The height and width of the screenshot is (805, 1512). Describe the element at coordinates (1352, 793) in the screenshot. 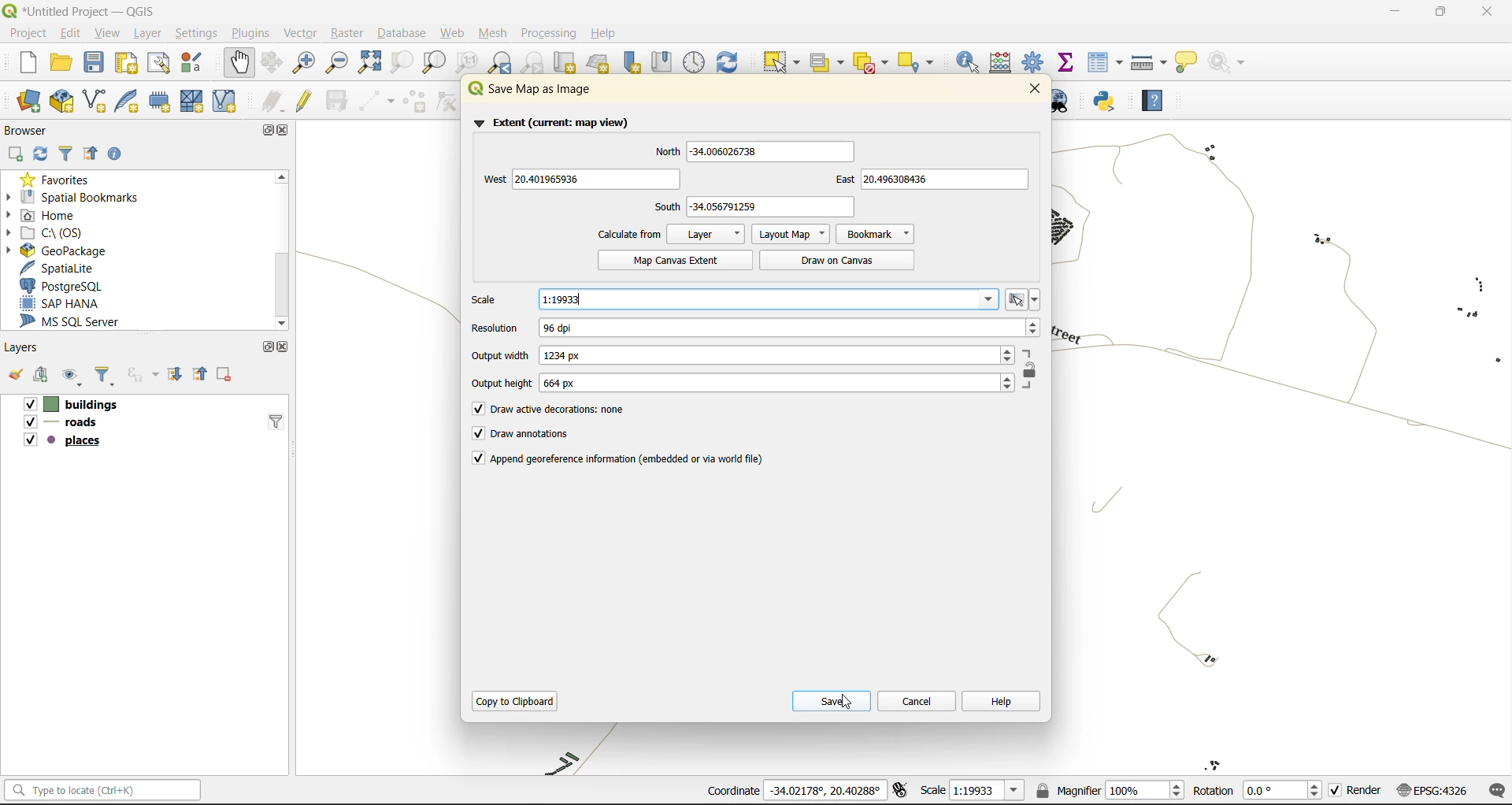

I see `render` at that location.